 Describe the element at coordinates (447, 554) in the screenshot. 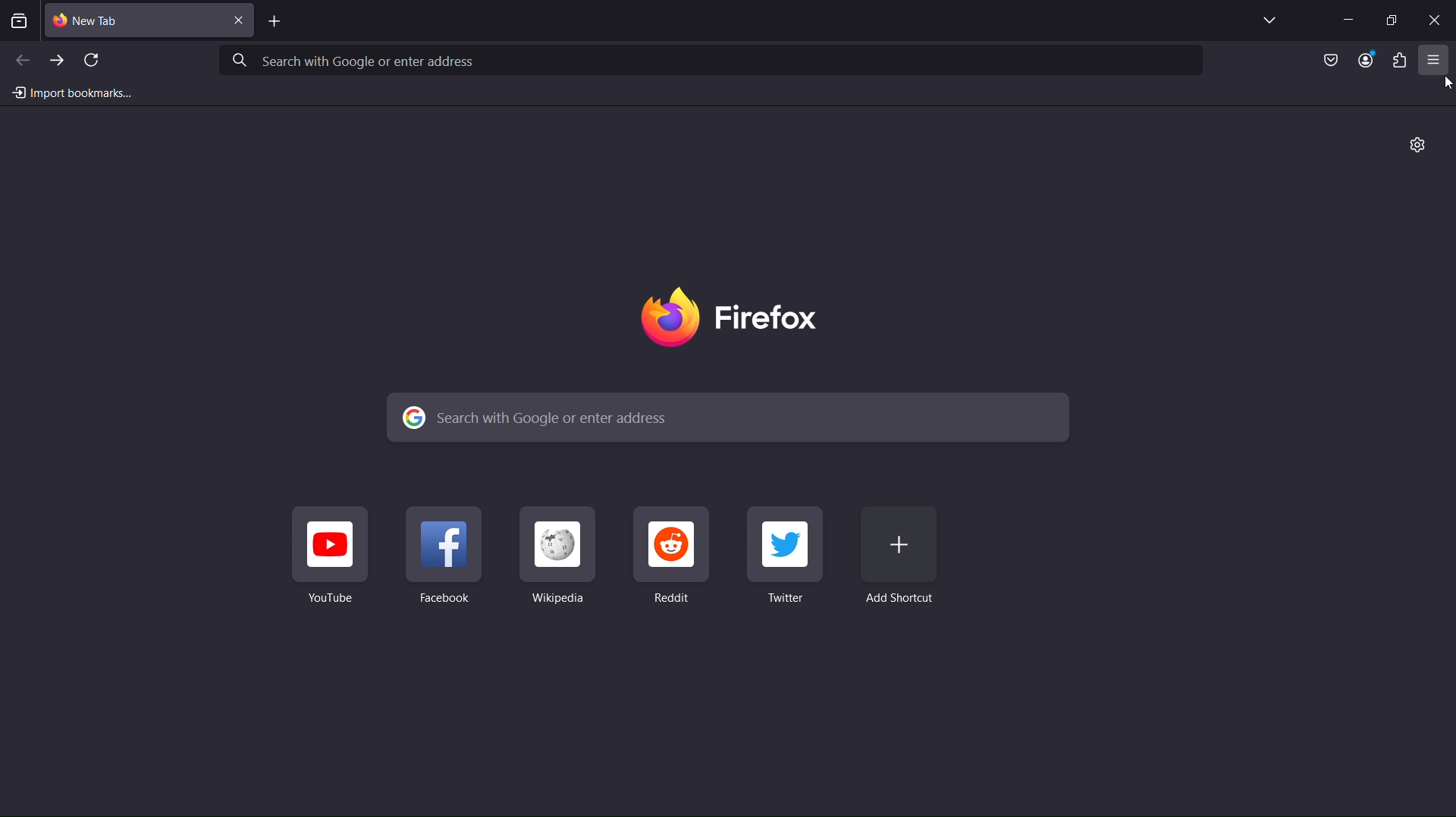

I see `Facebook Shortcut` at that location.